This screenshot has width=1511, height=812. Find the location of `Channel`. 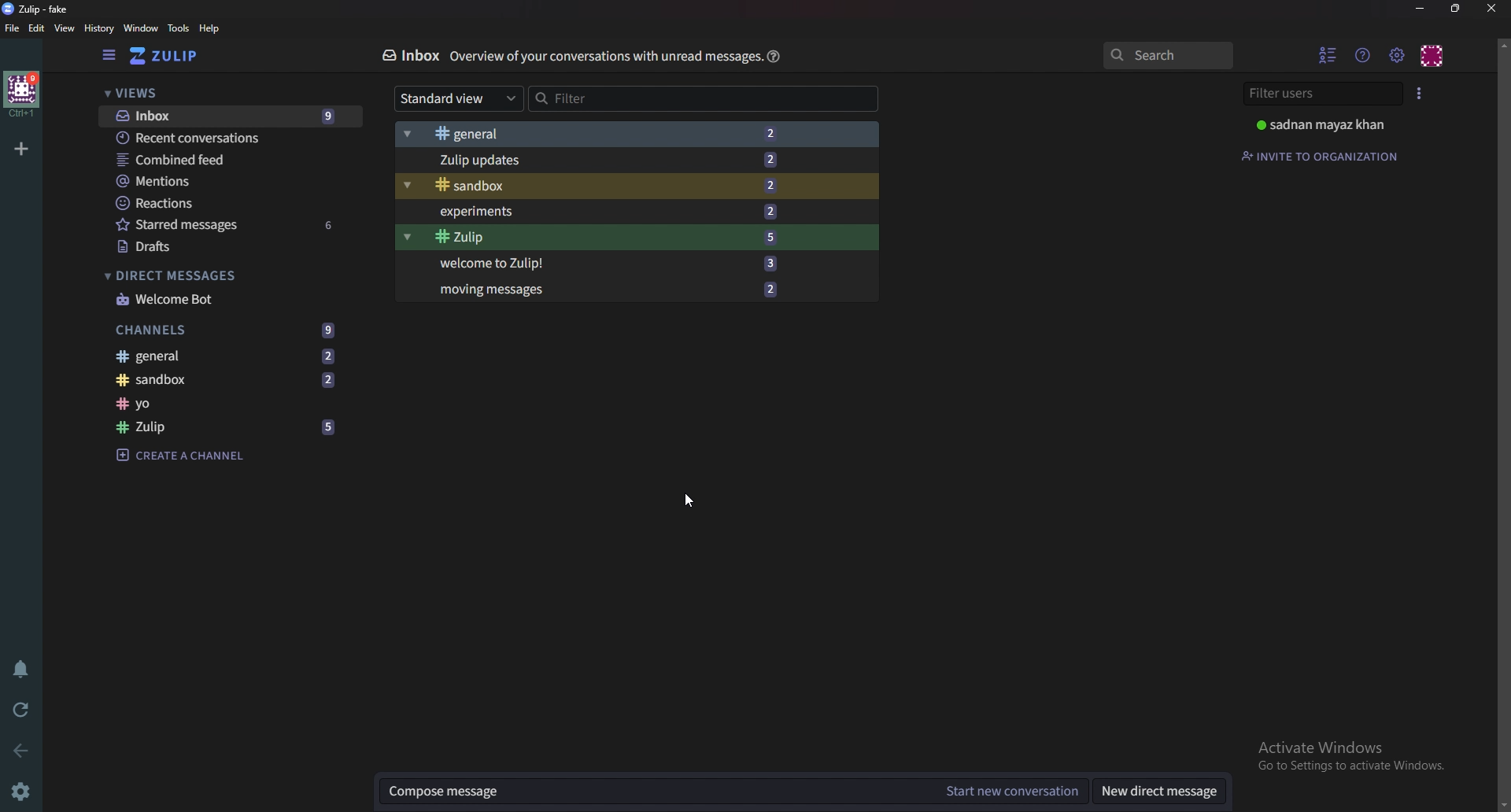

Channel is located at coordinates (220, 404).